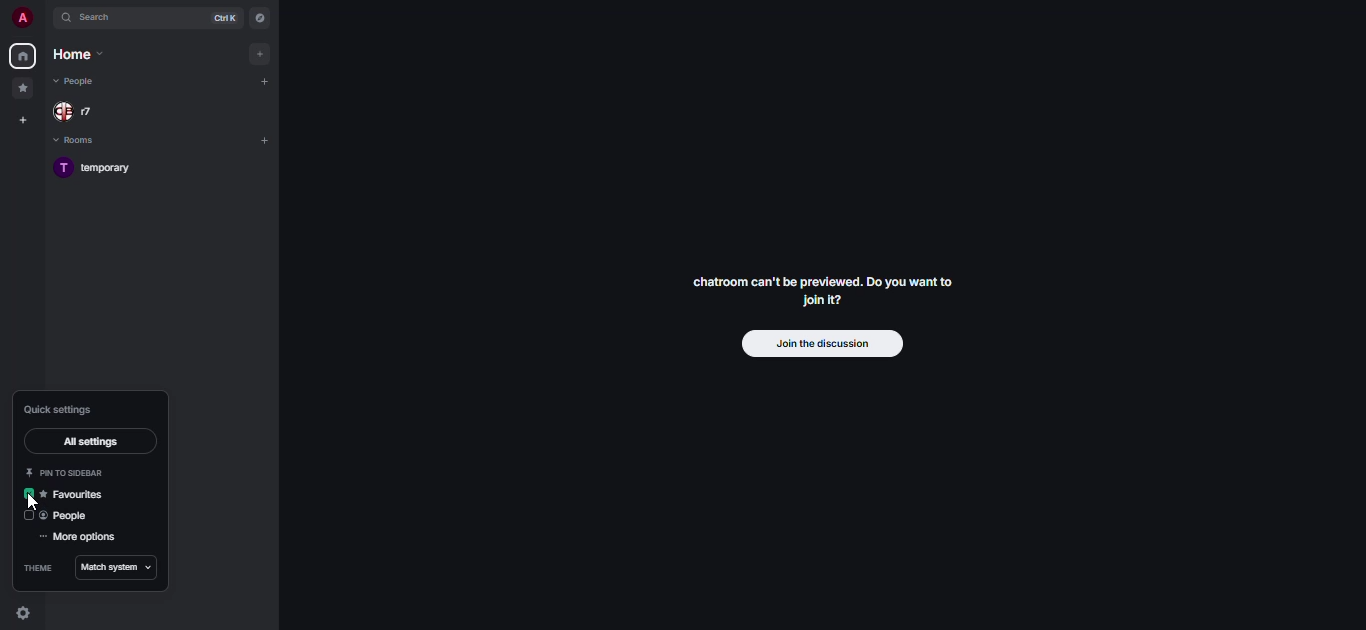 This screenshot has height=630, width=1366. What do you see at coordinates (28, 494) in the screenshot?
I see `enabled` at bounding box center [28, 494].